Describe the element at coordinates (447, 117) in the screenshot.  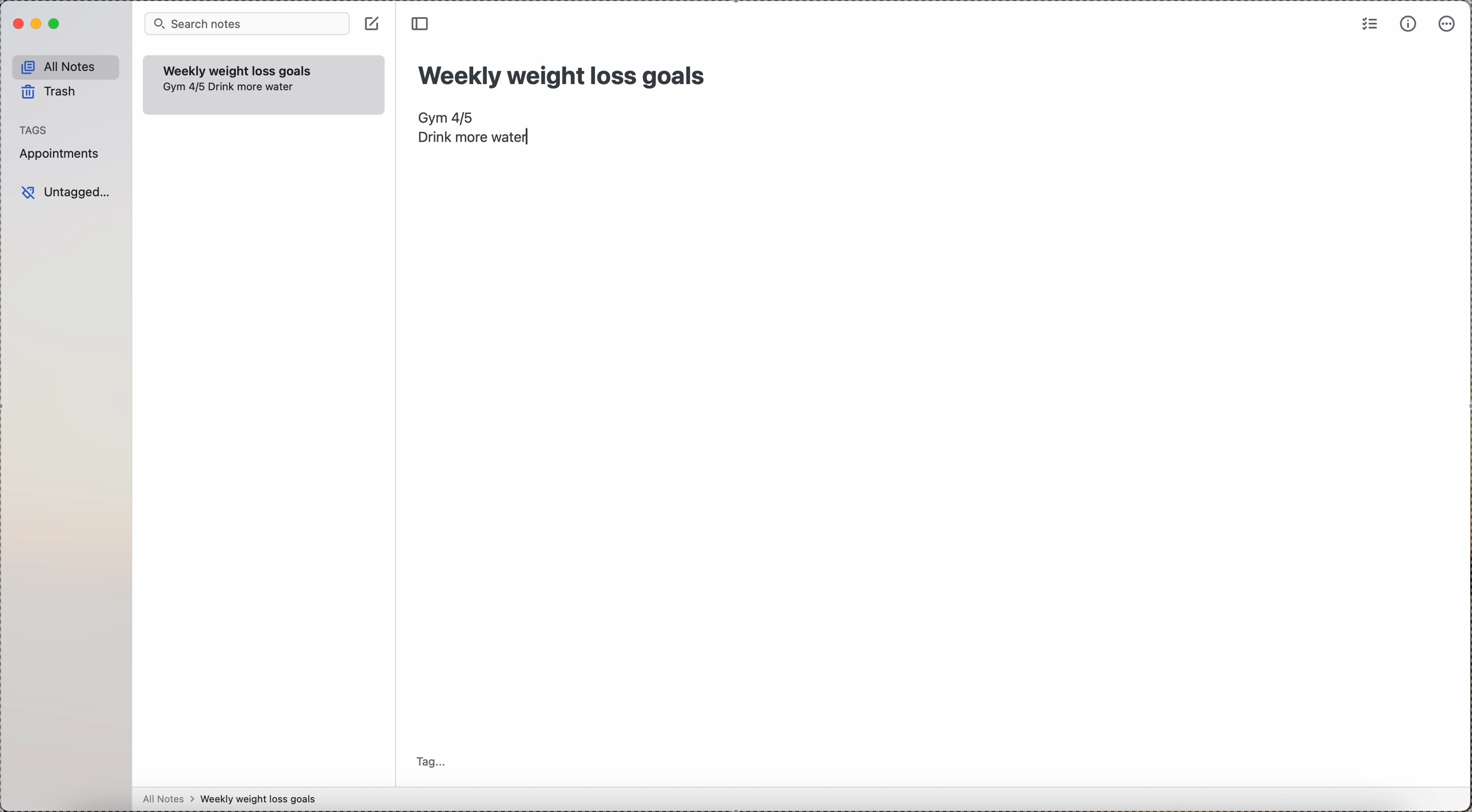
I see `Gym 4/5` at that location.